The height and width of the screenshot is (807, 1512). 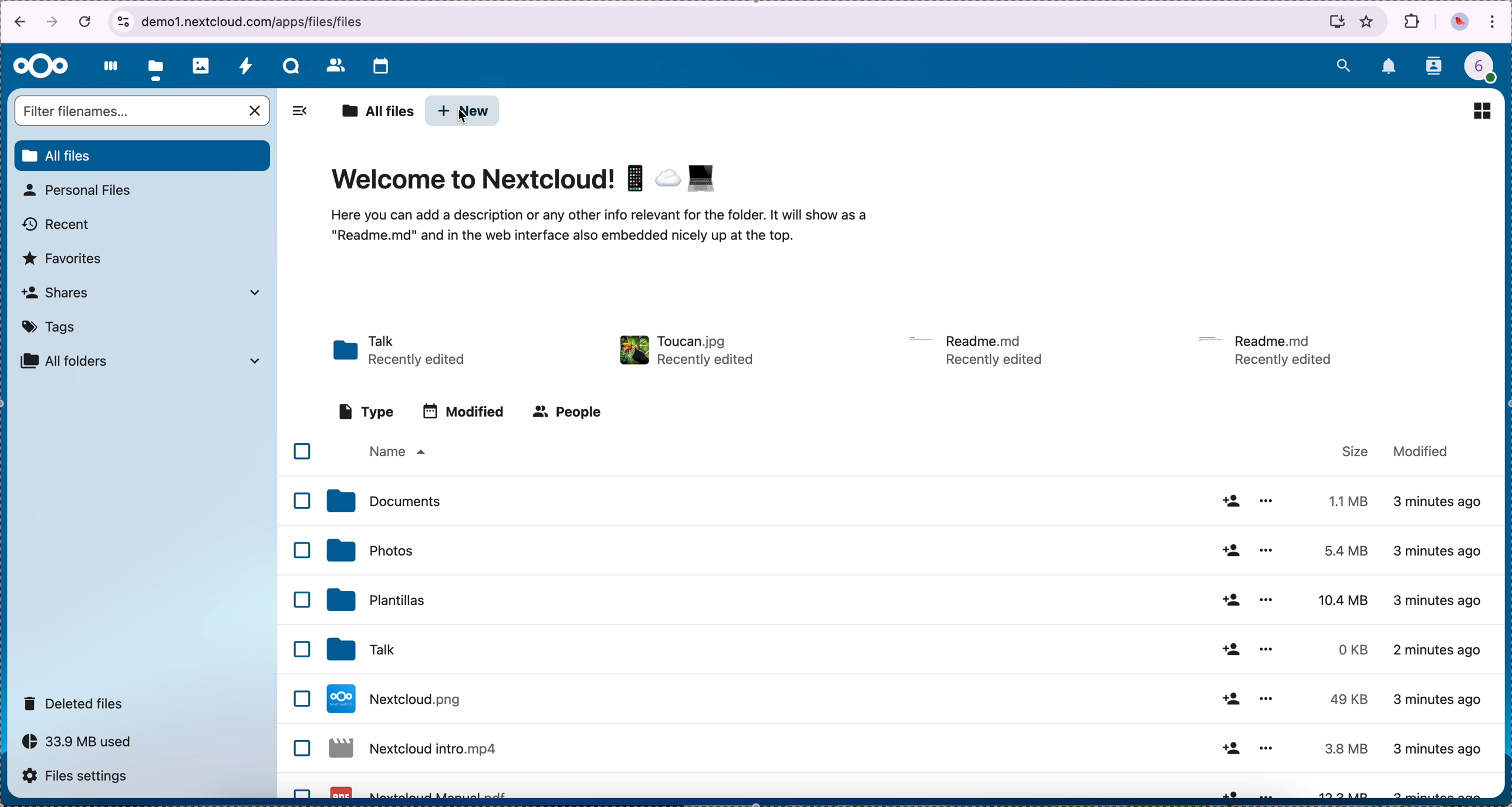 I want to click on size, so click(x=1356, y=451).